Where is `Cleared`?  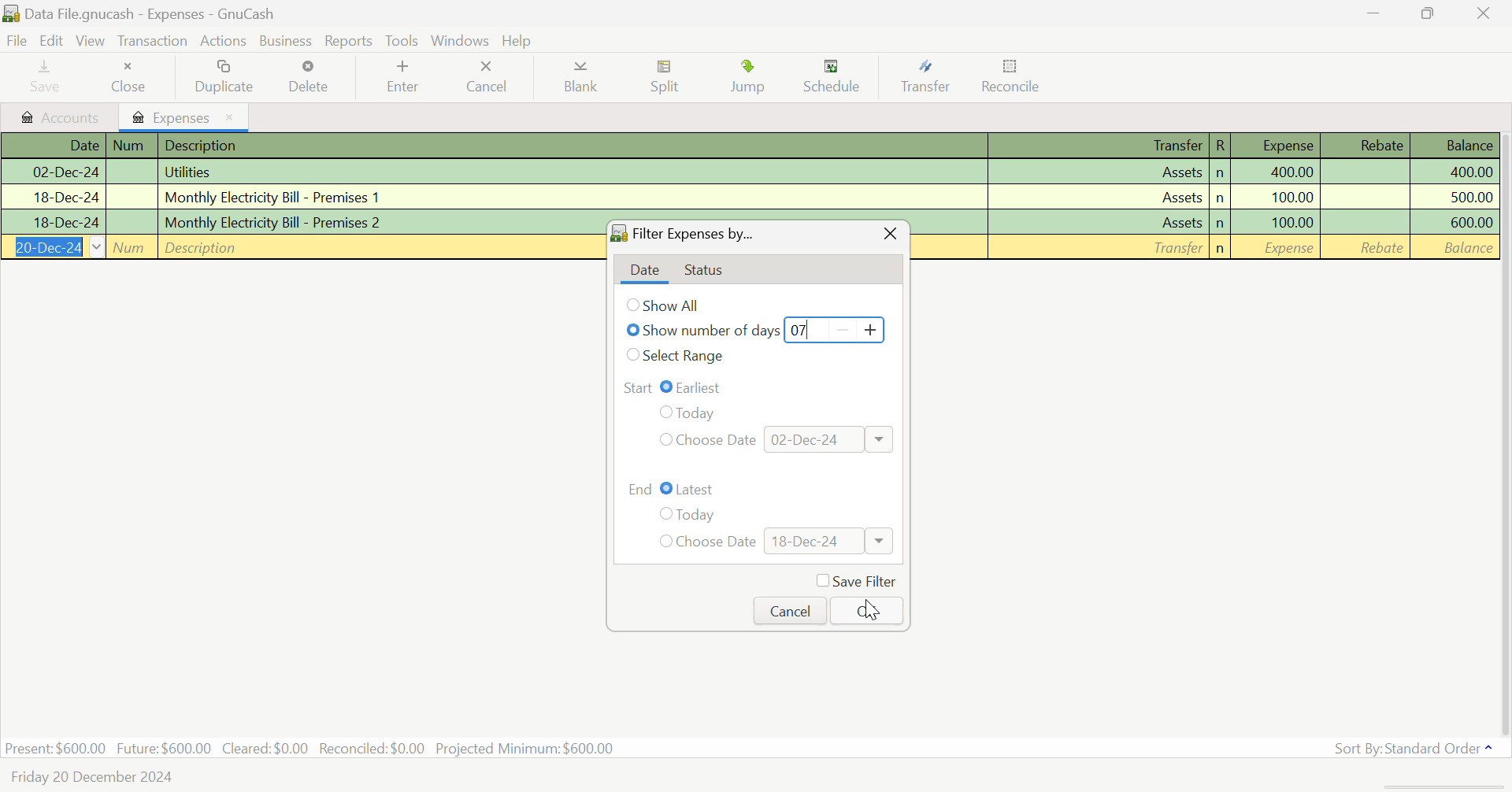
Cleared is located at coordinates (265, 749).